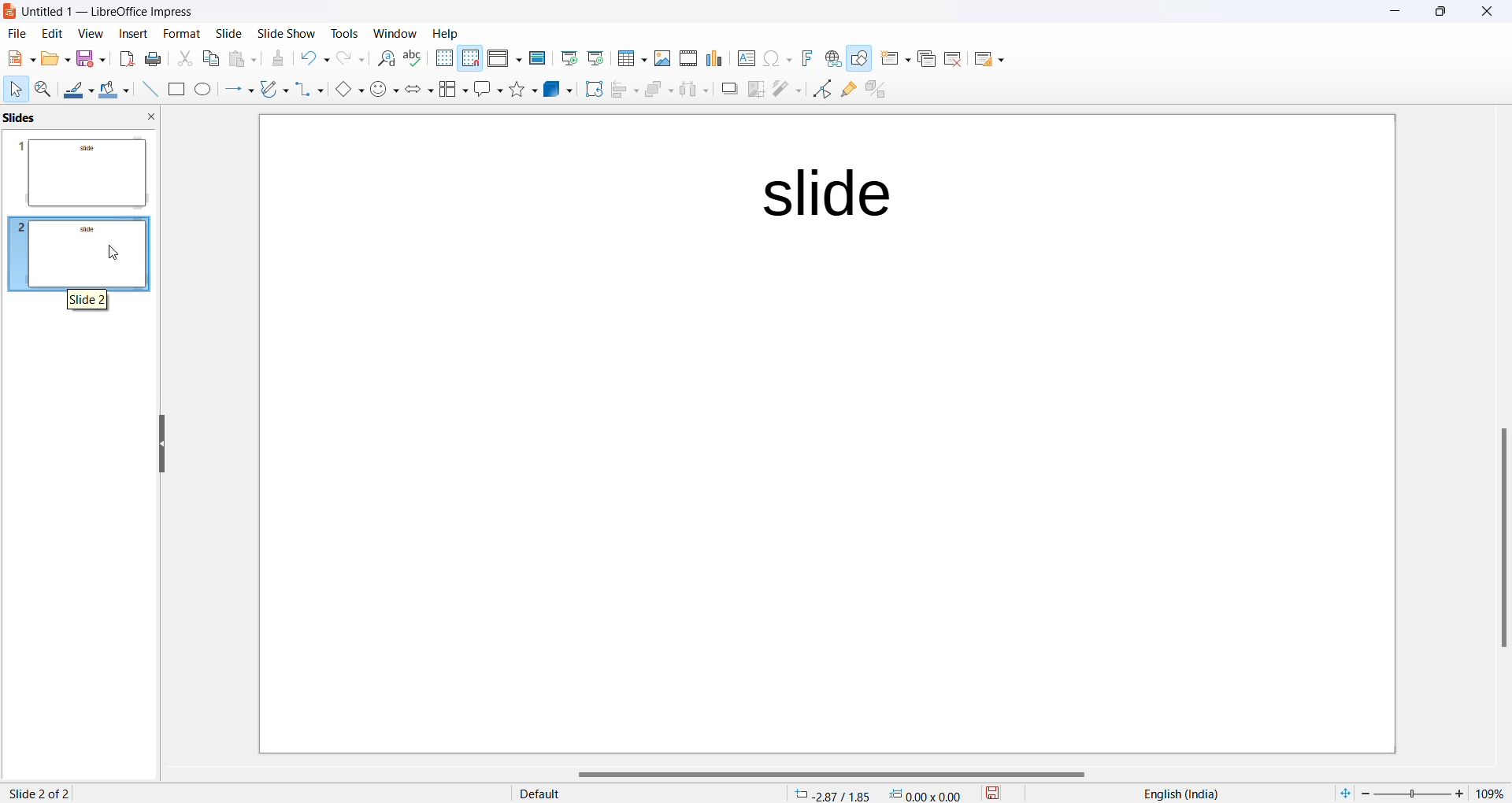  Describe the element at coordinates (994, 57) in the screenshot. I see `Slide layout` at that location.